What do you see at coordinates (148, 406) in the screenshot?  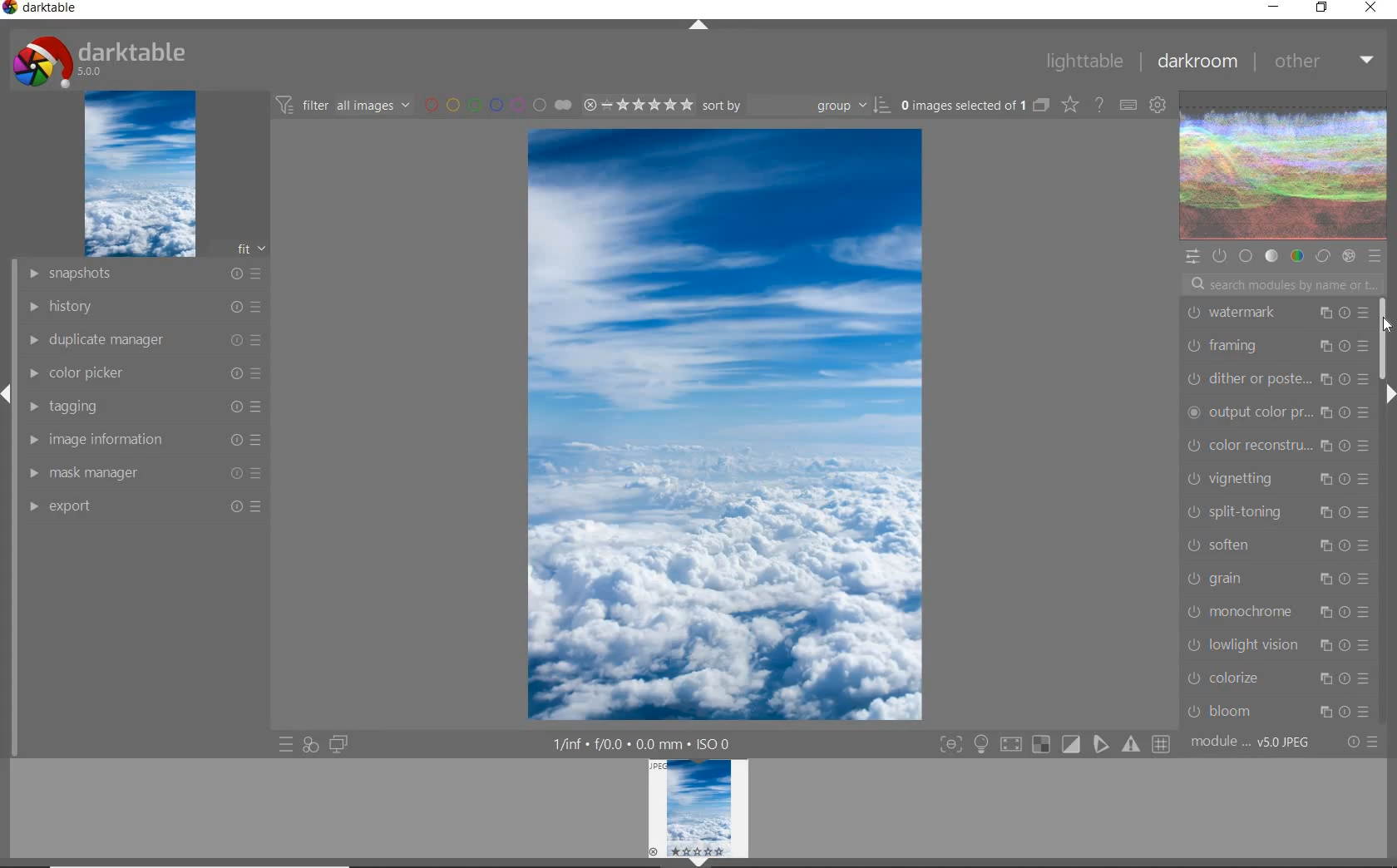 I see `TAGGING` at bounding box center [148, 406].